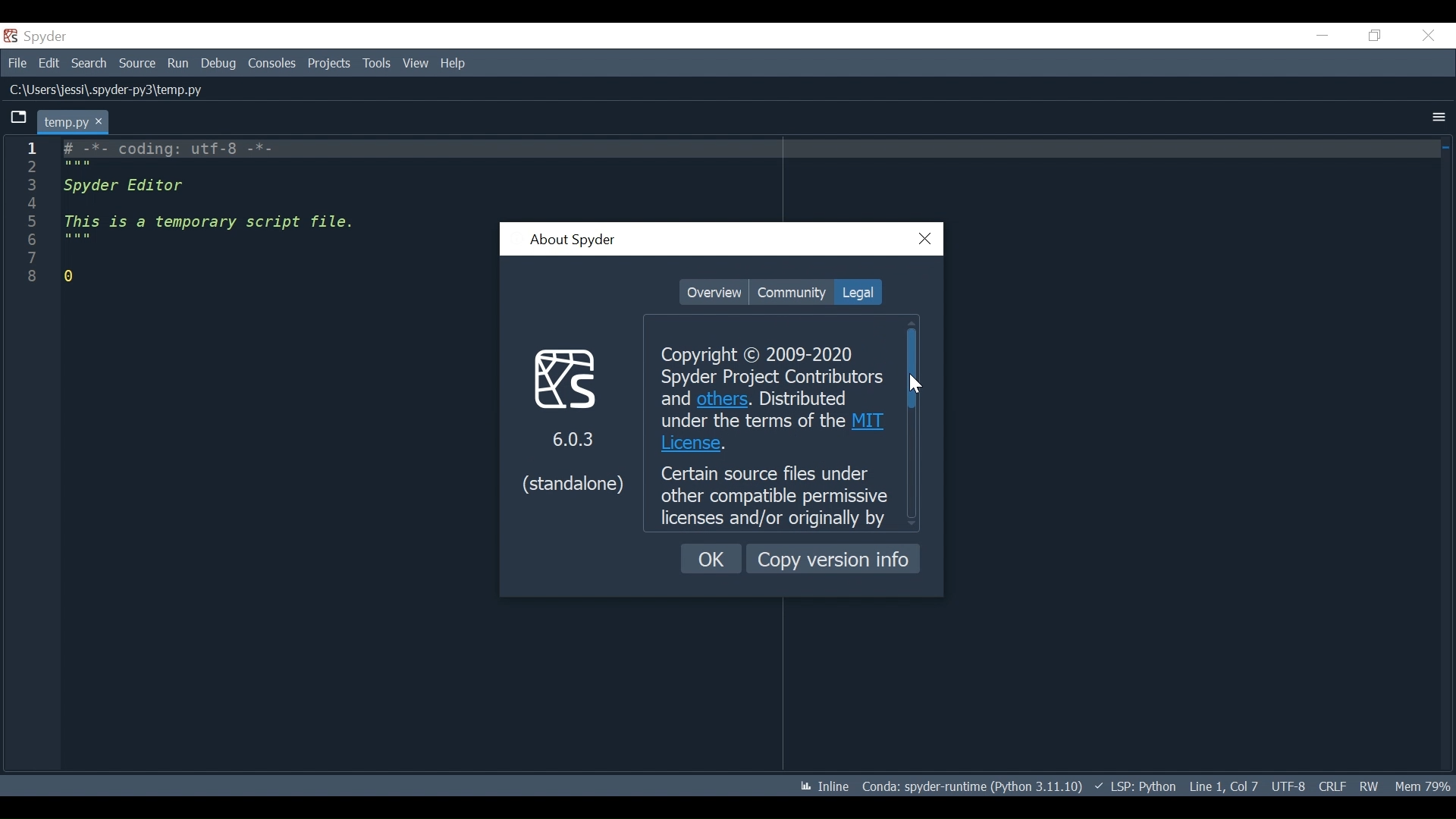  I want to click on Help, so click(454, 64).